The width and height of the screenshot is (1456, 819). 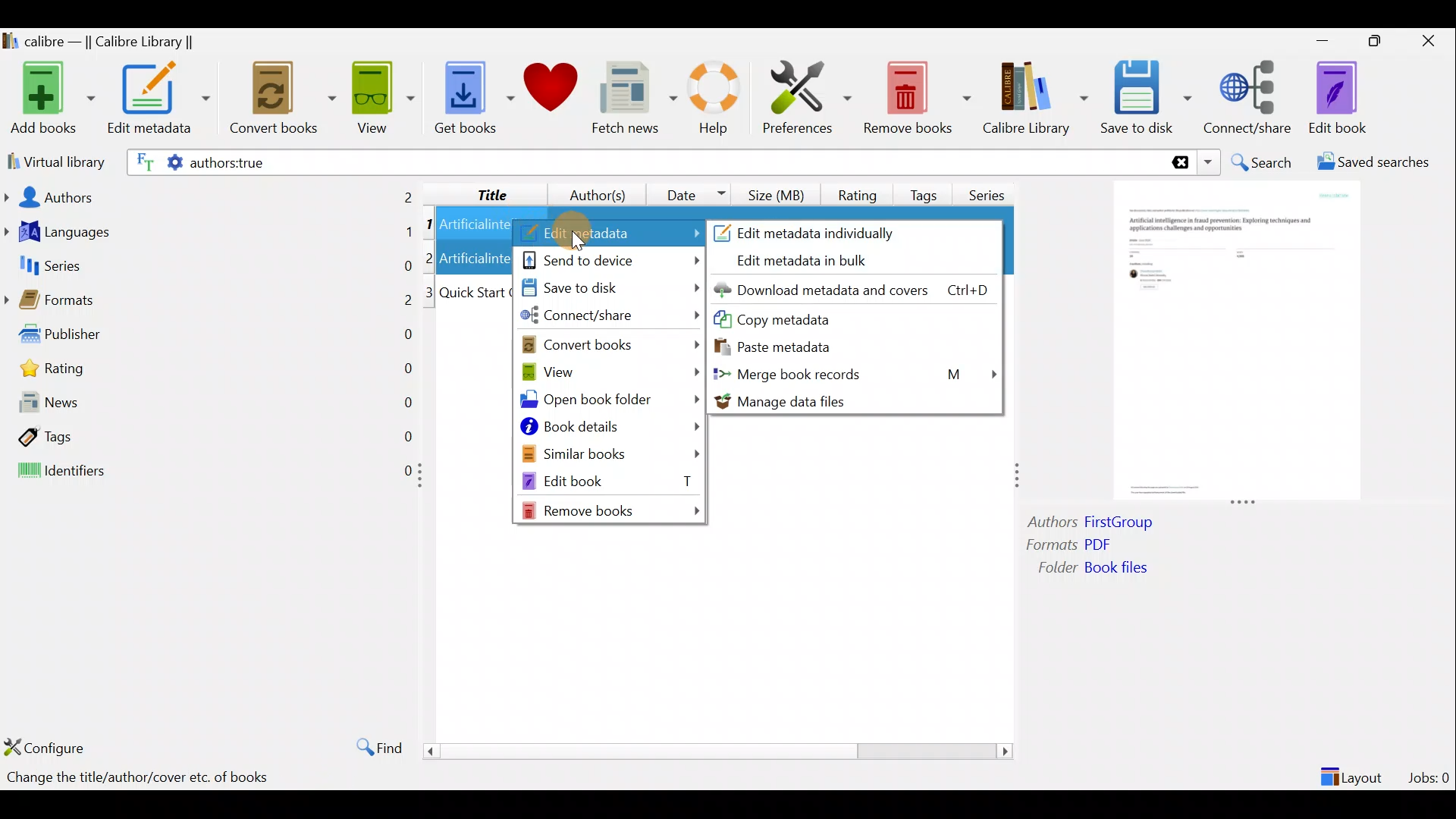 What do you see at coordinates (613, 510) in the screenshot?
I see `Remove books` at bounding box center [613, 510].